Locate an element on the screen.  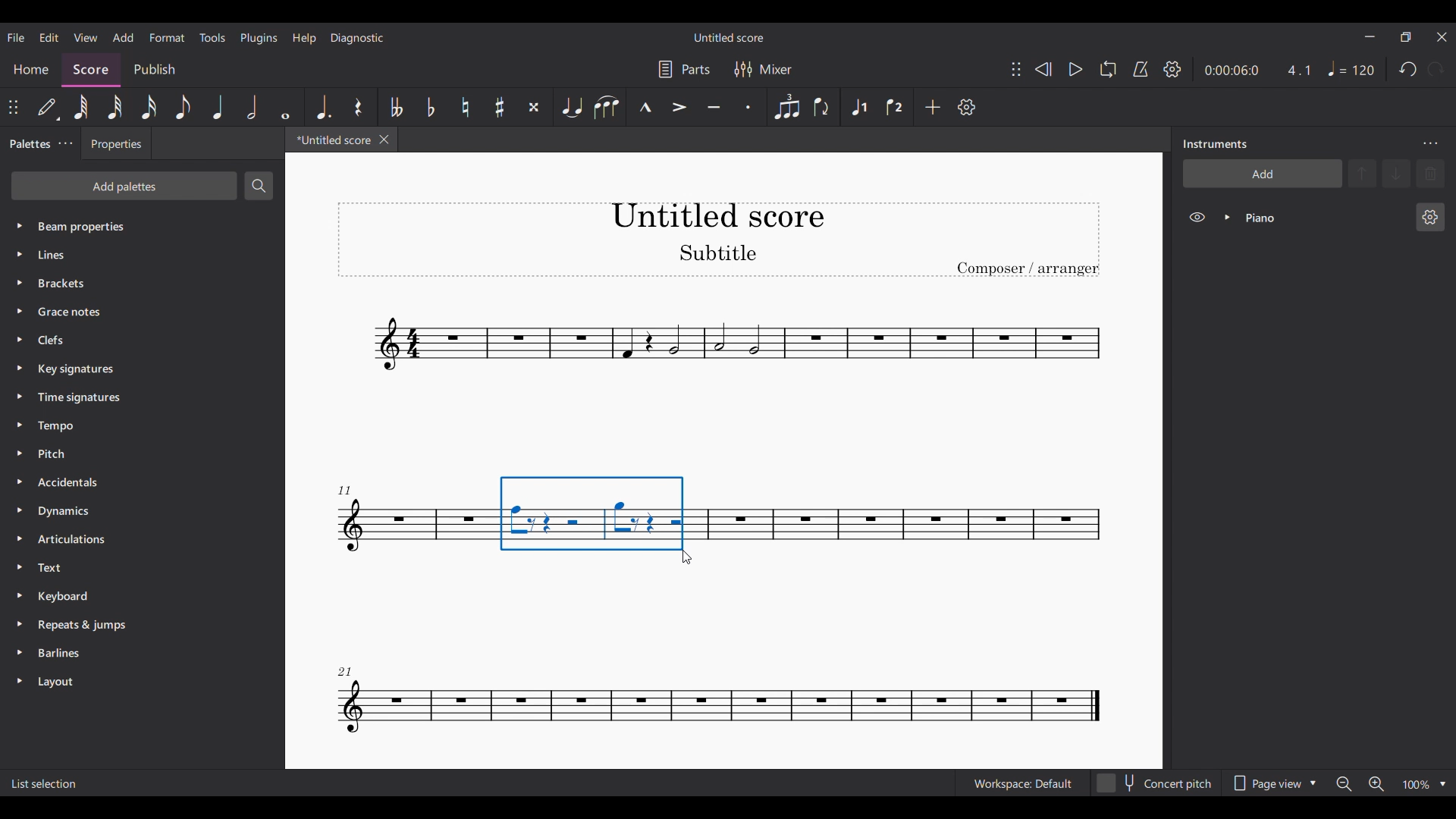
Staccato is located at coordinates (748, 107).